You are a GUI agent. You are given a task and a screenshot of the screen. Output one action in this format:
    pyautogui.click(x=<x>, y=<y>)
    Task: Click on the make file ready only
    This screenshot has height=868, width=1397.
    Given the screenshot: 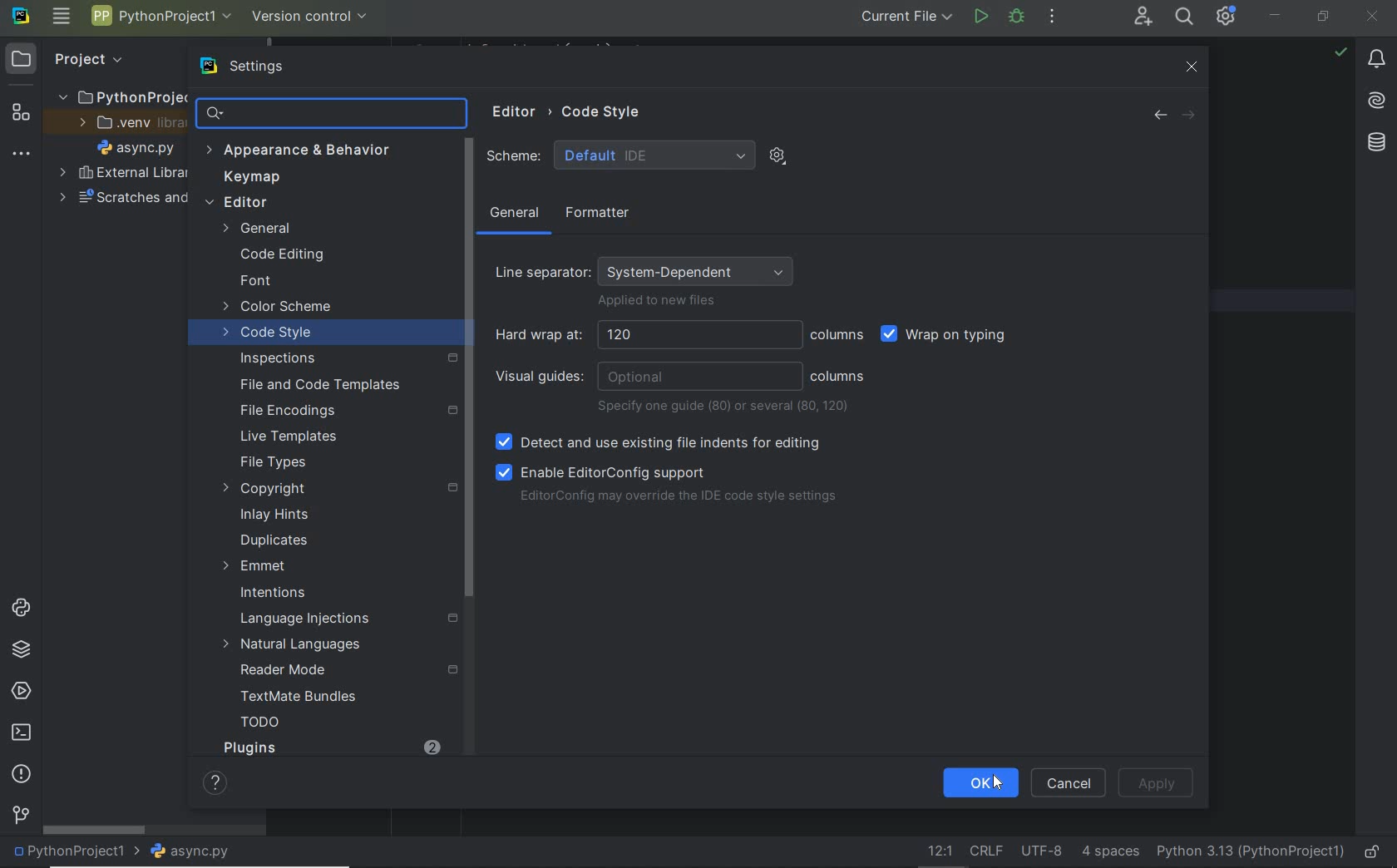 What is the action you would take?
    pyautogui.click(x=1375, y=852)
    